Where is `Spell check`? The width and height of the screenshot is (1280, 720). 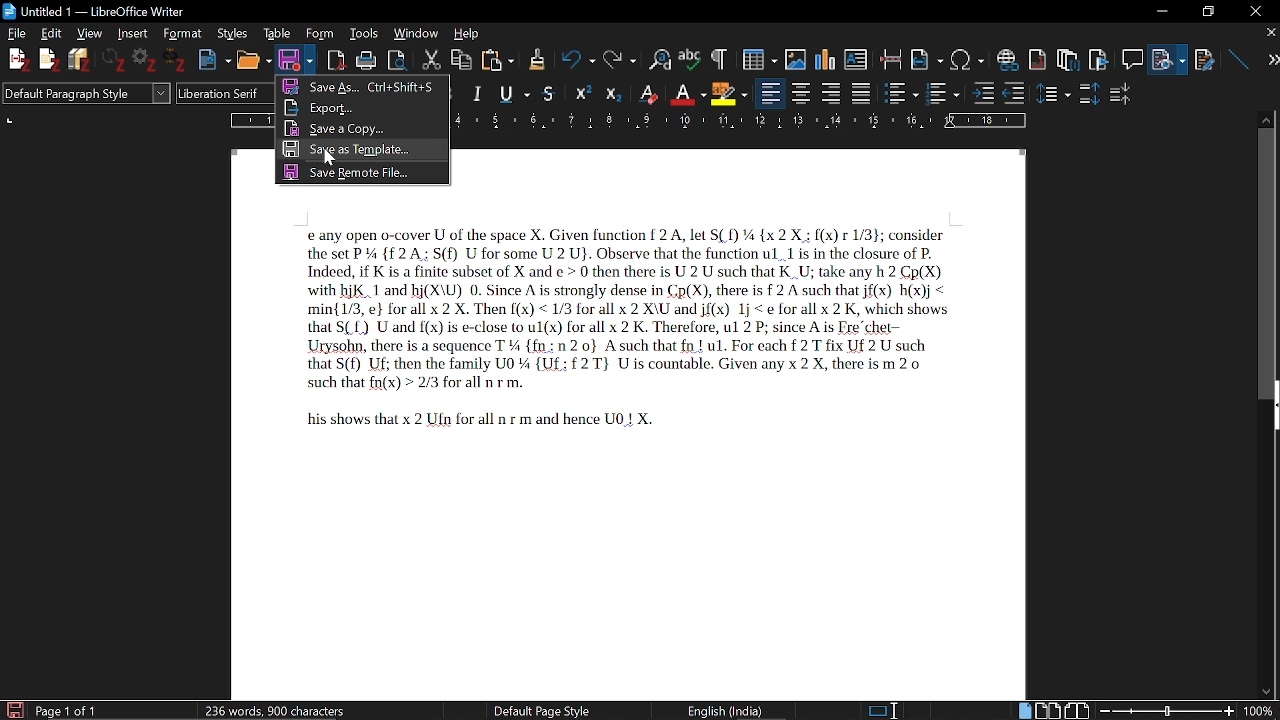 Spell check is located at coordinates (690, 57).